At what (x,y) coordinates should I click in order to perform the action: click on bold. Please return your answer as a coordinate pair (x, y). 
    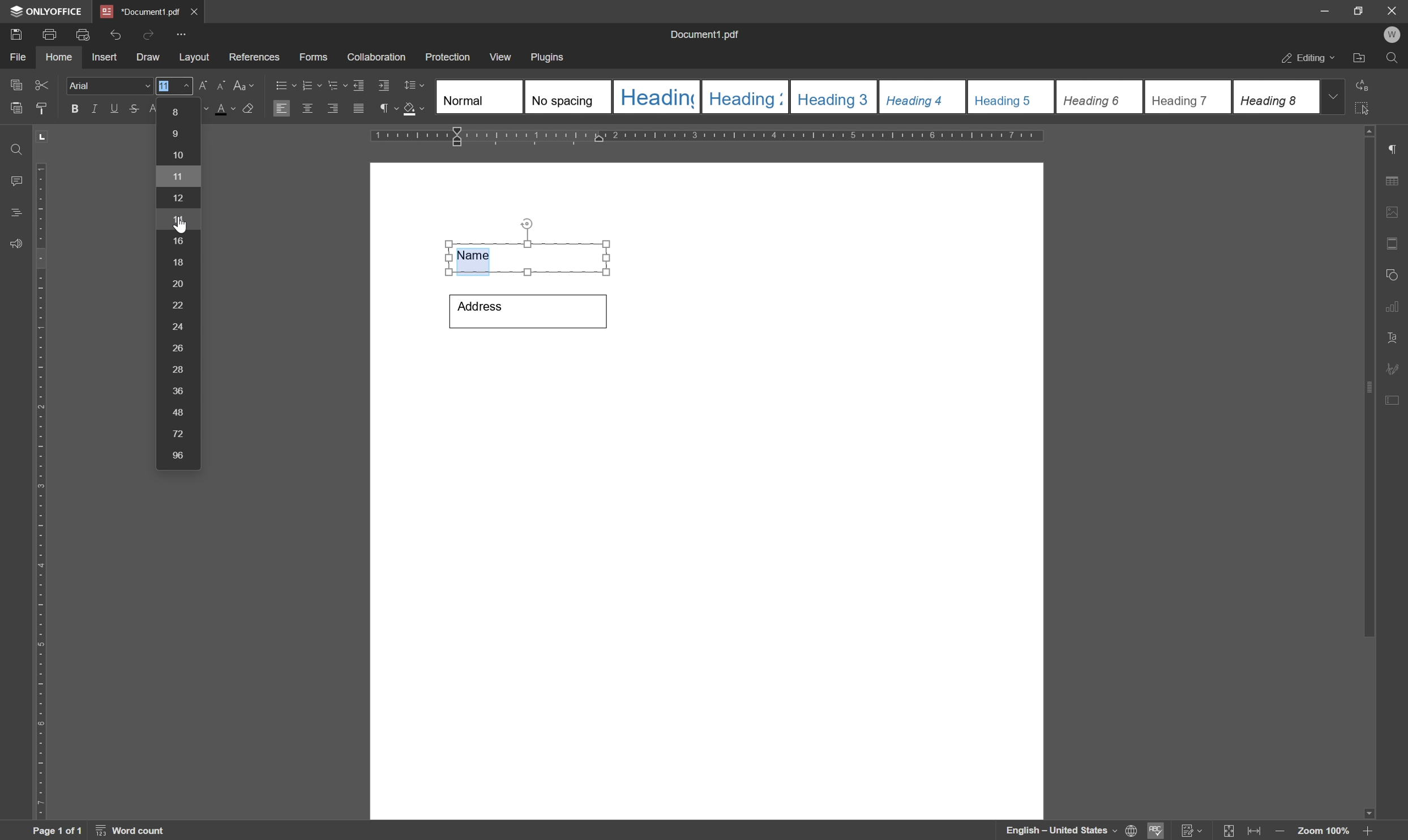
    Looking at the image, I should click on (71, 109).